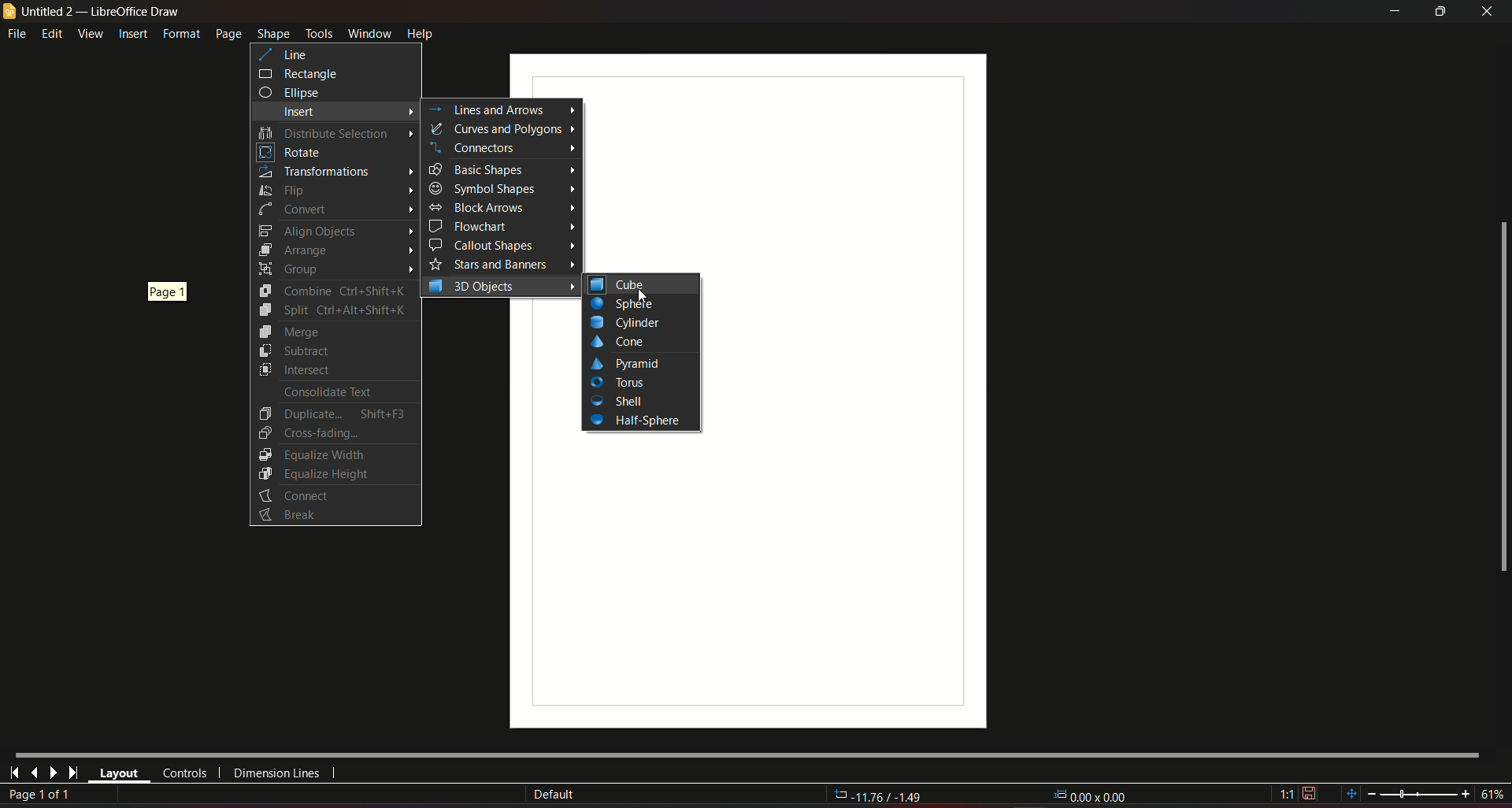  I want to click on Flowchart, so click(472, 226).